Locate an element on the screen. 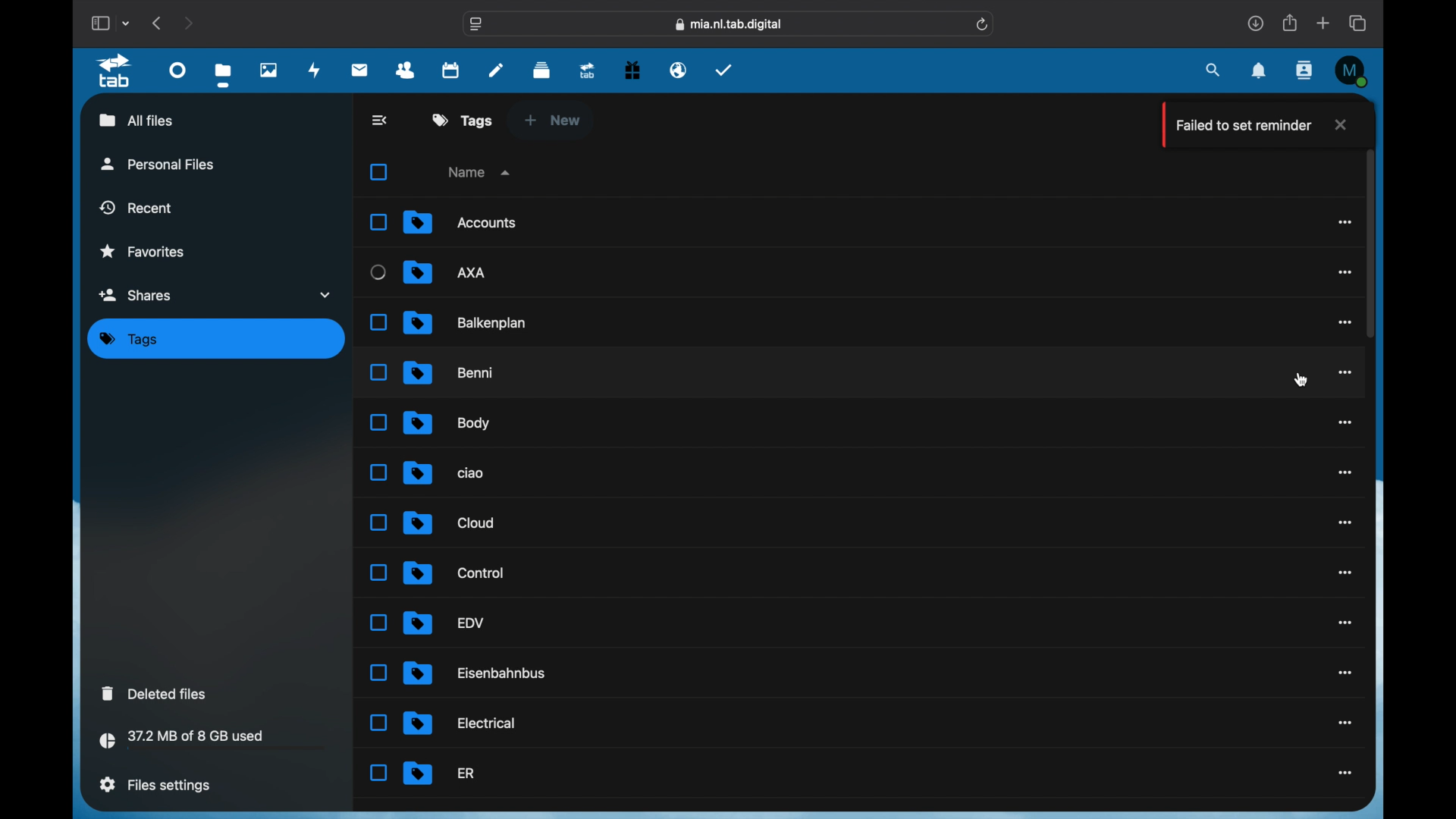  file is located at coordinates (447, 423).